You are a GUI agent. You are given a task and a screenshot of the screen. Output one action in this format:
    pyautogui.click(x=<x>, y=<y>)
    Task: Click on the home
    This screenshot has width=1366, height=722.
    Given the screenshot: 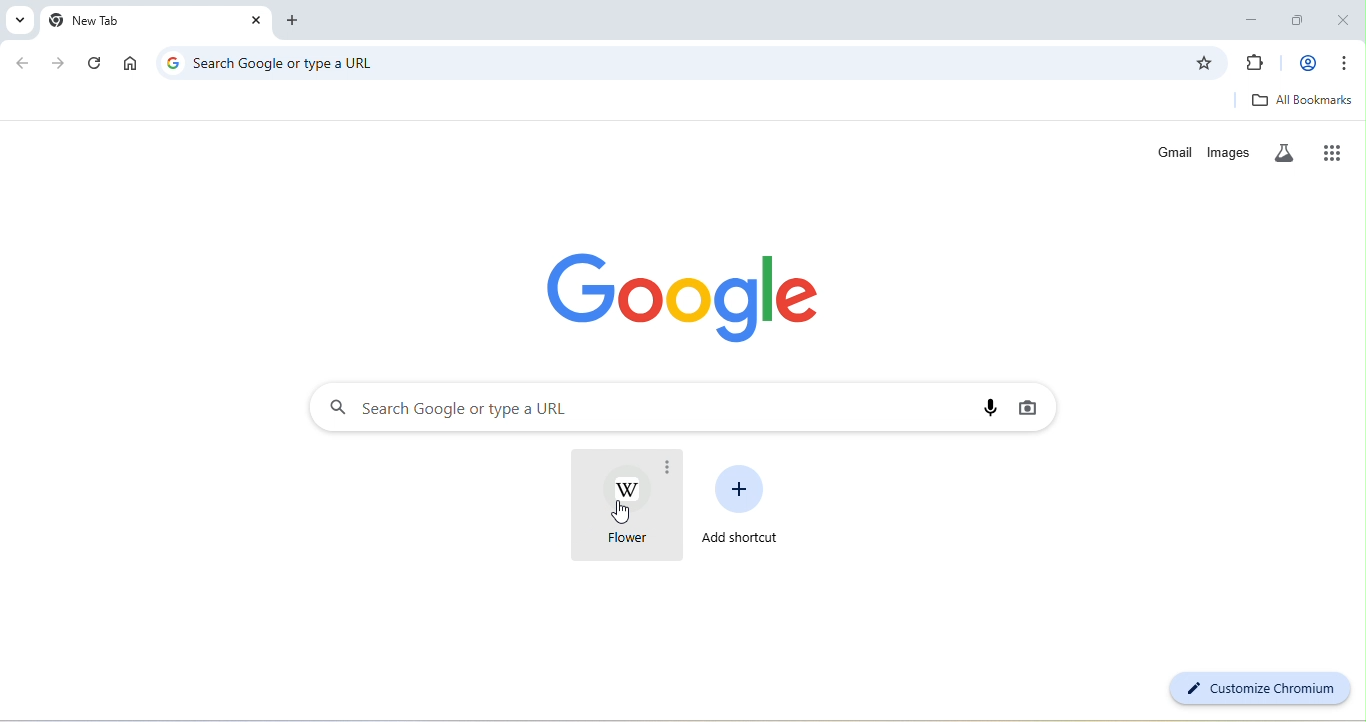 What is the action you would take?
    pyautogui.click(x=130, y=64)
    